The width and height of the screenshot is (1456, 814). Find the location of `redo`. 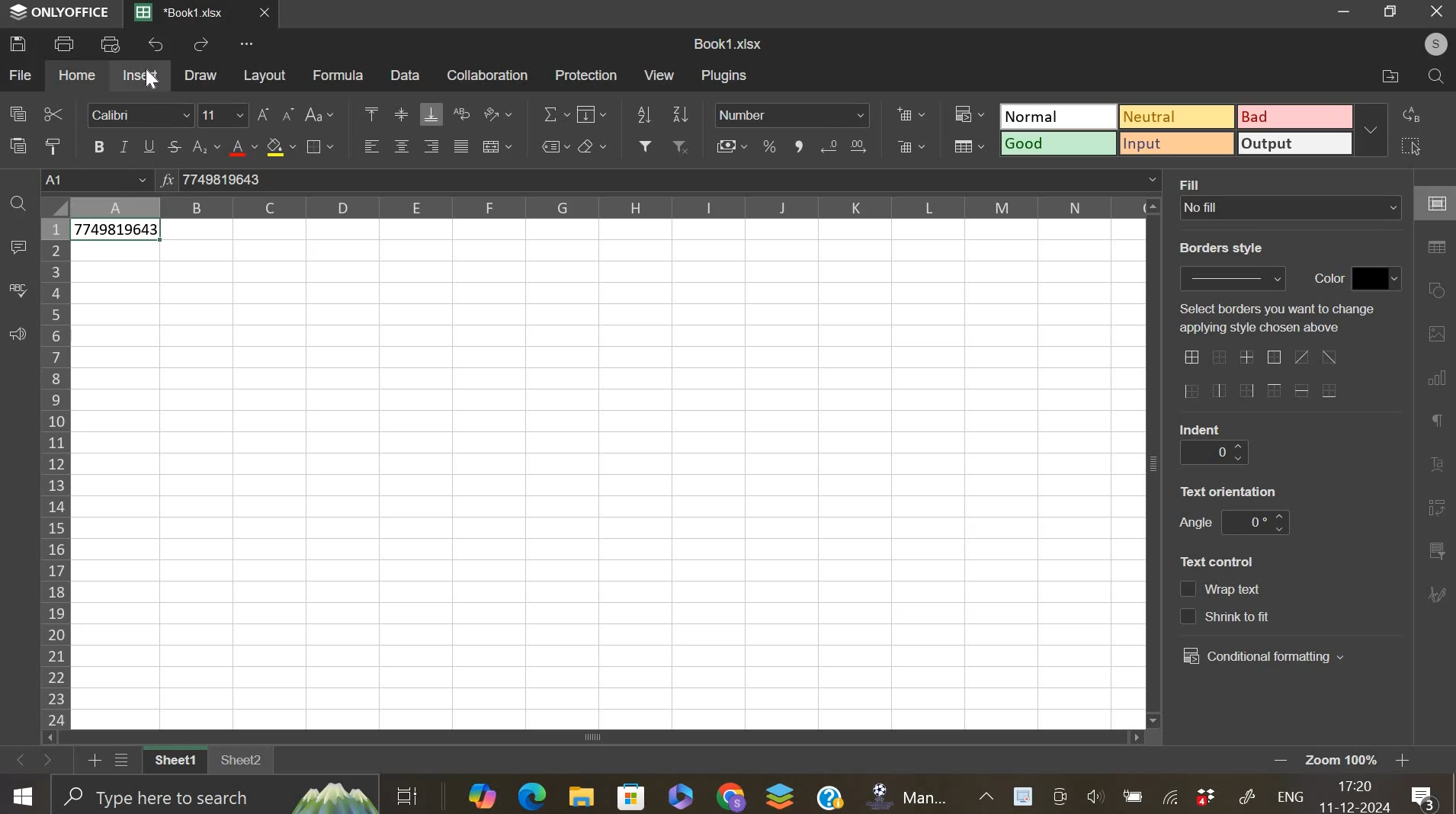

redo is located at coordinates (201, 46).